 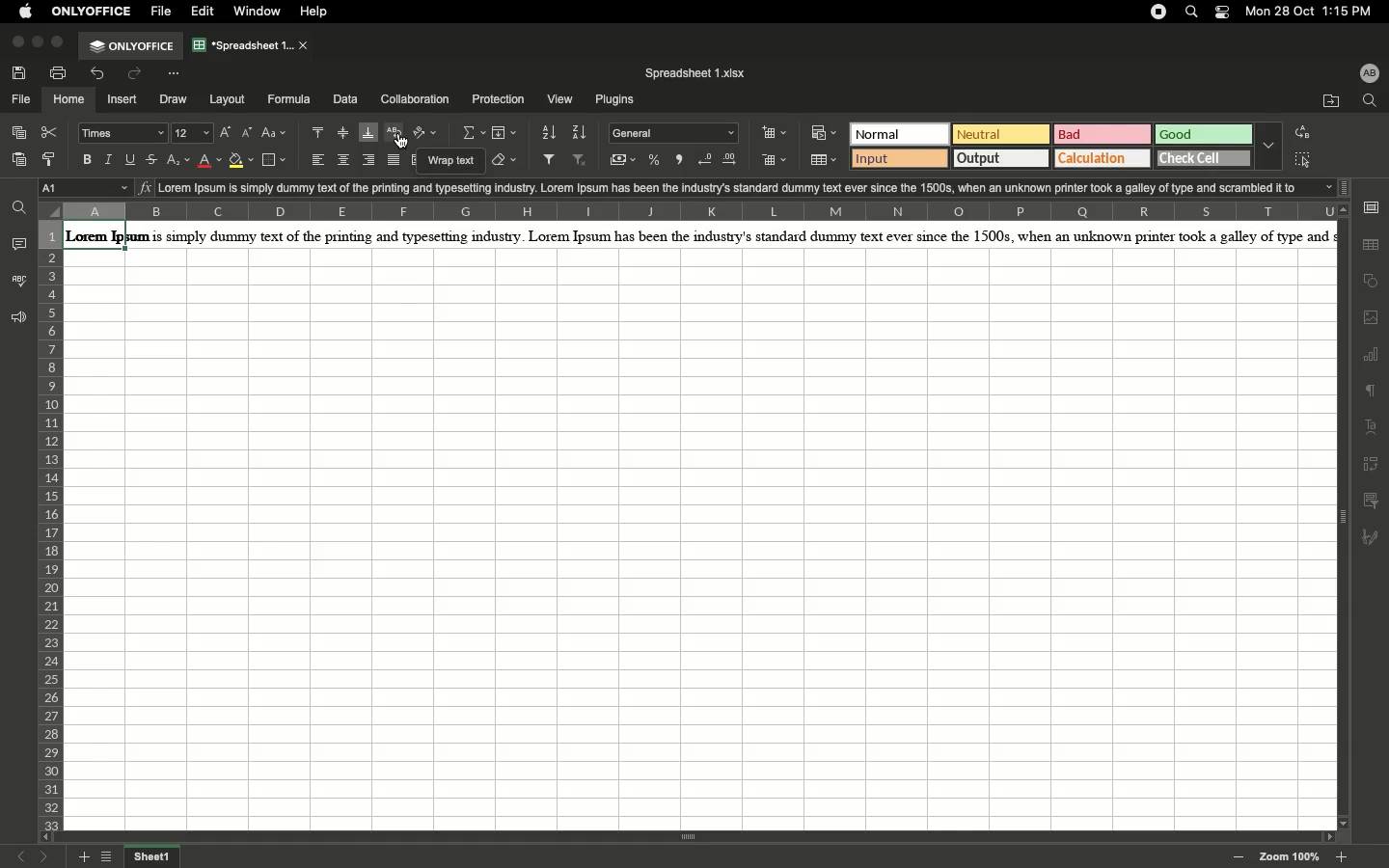 I want to click on File, so click(x=163, y=13).